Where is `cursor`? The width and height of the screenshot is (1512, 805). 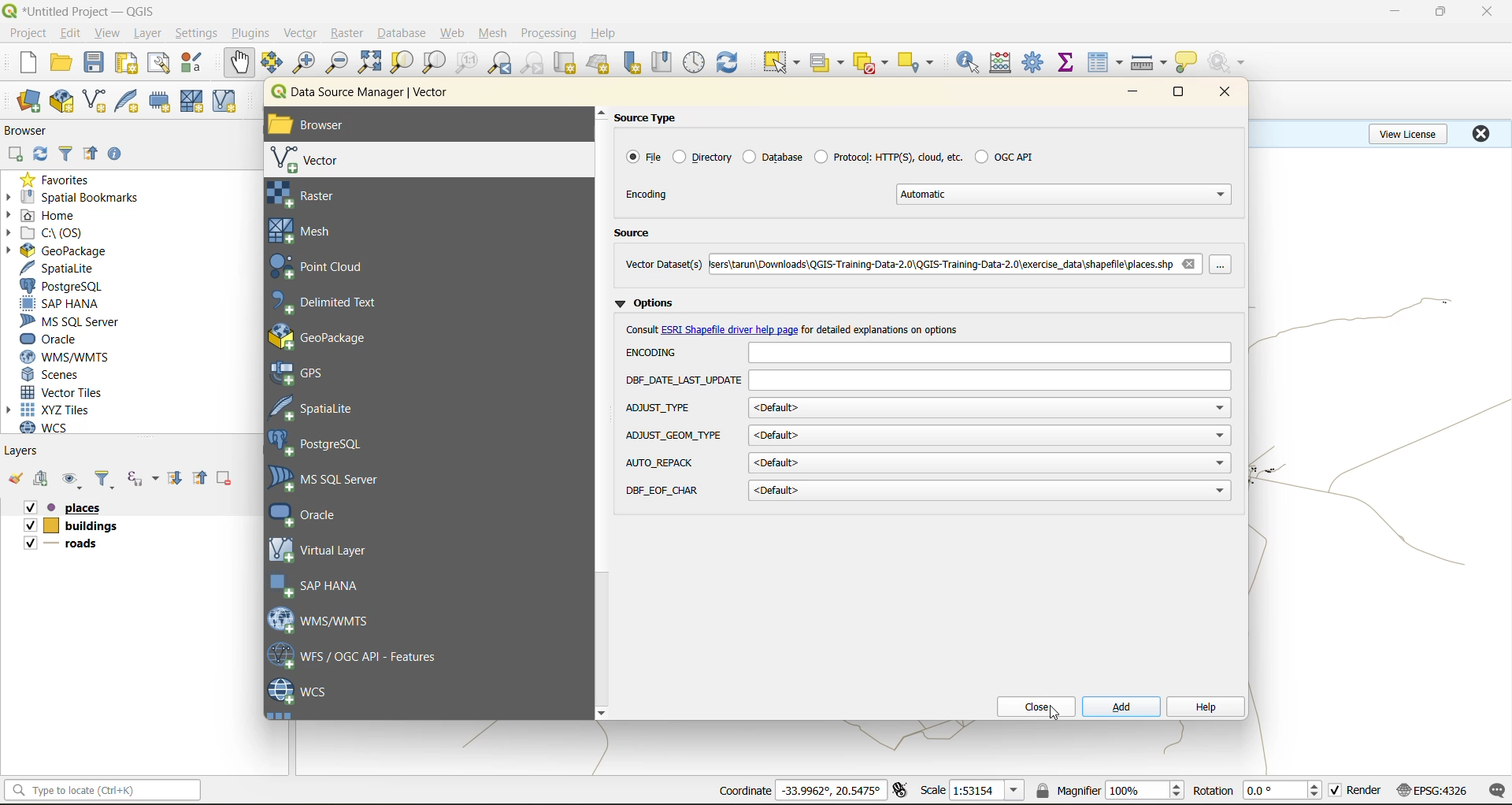
cursor is located at coordinates (1059, 718).